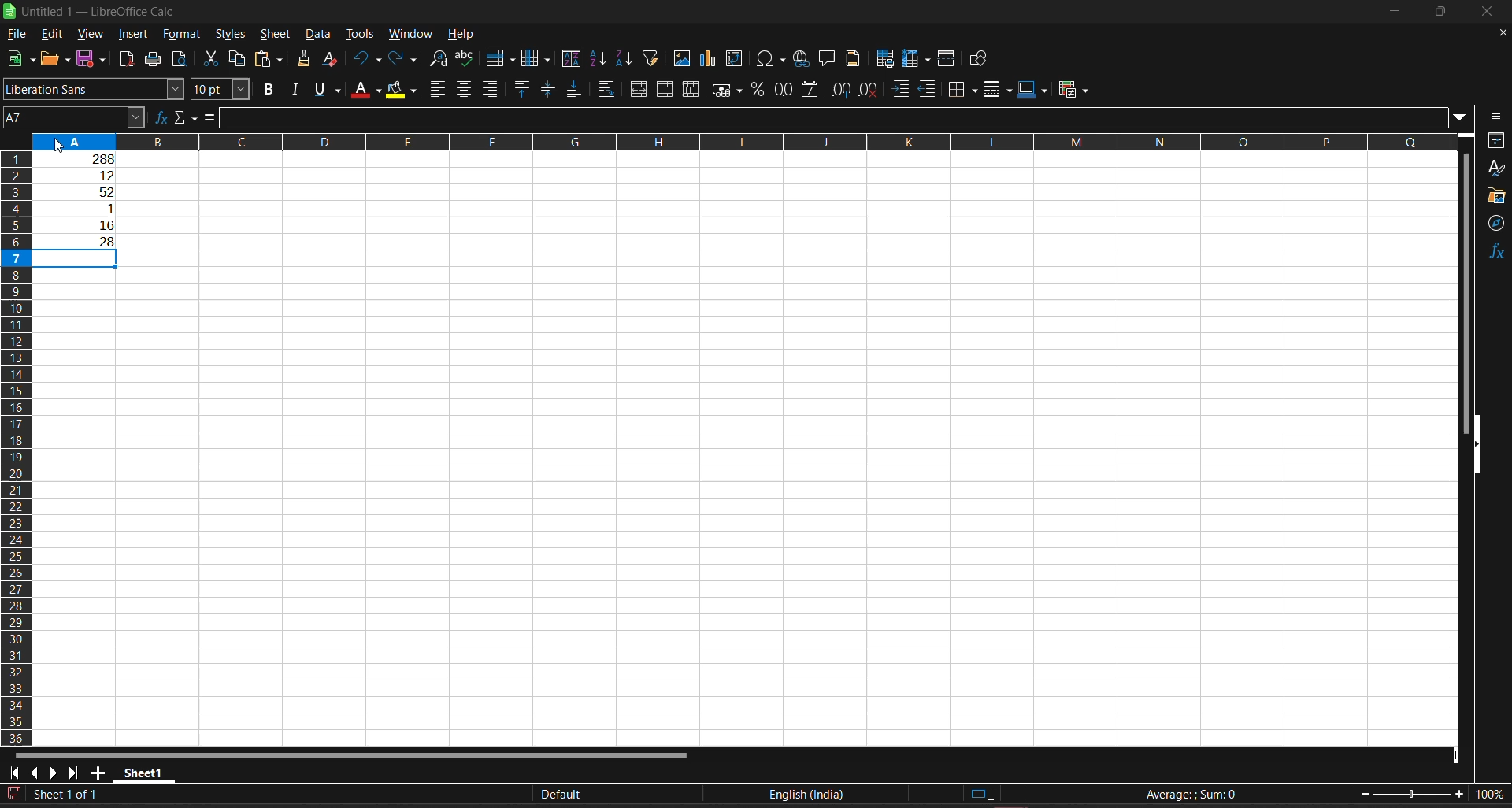  I want to click on insert hyperlink, so click(801, 59).